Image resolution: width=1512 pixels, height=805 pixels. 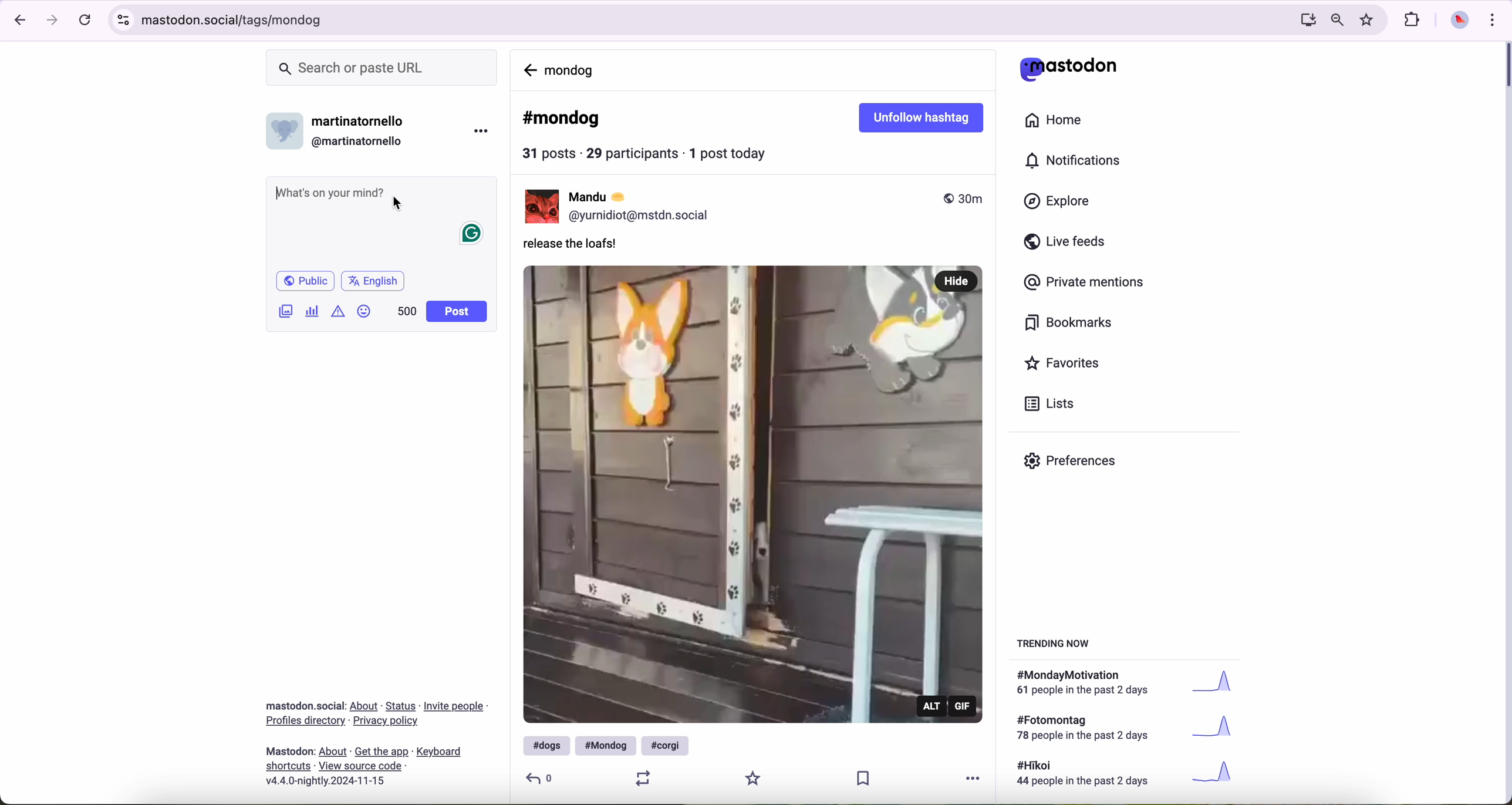 I want to click on navigate back, so click(x=529, y=68).